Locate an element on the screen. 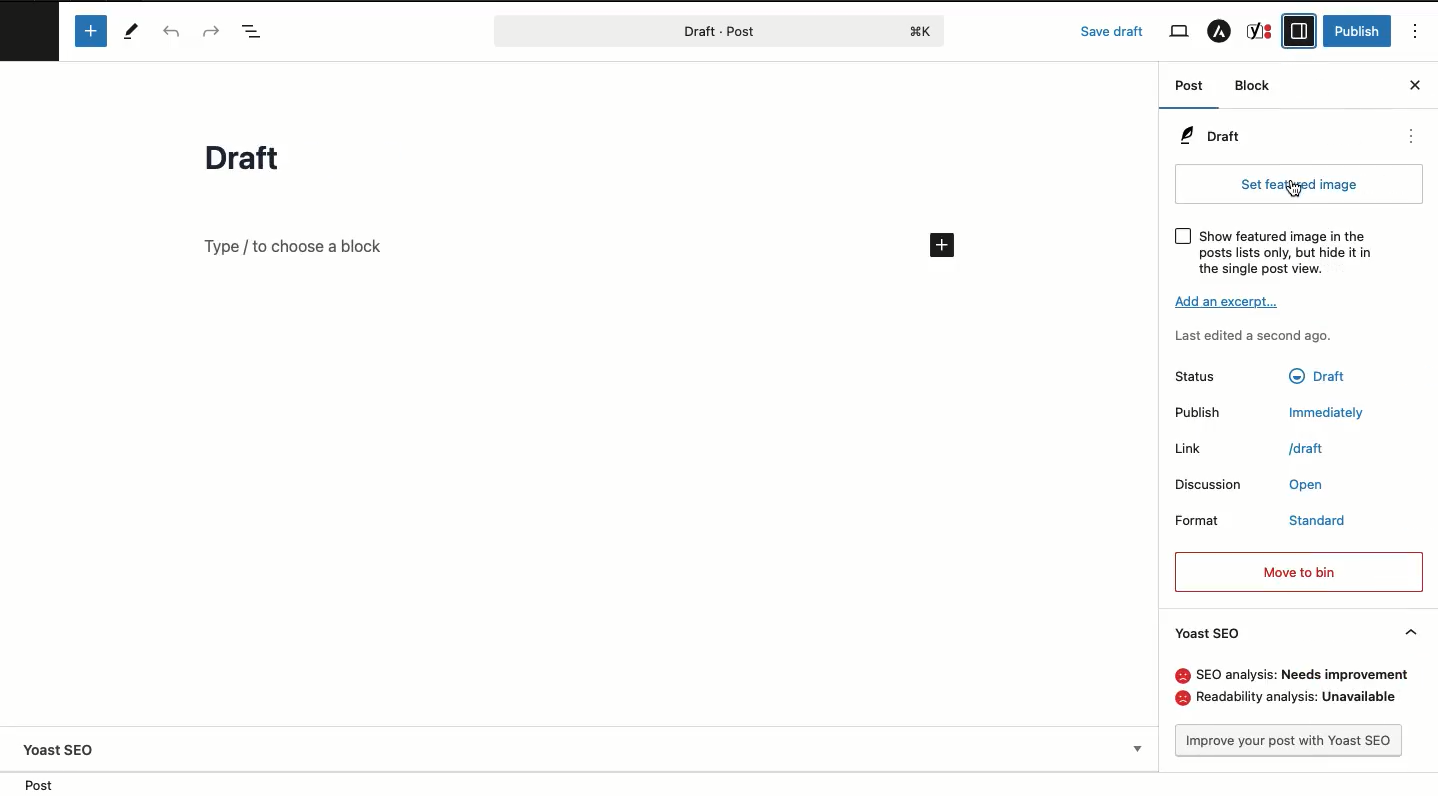  text is located at coordinates (1306, 486).